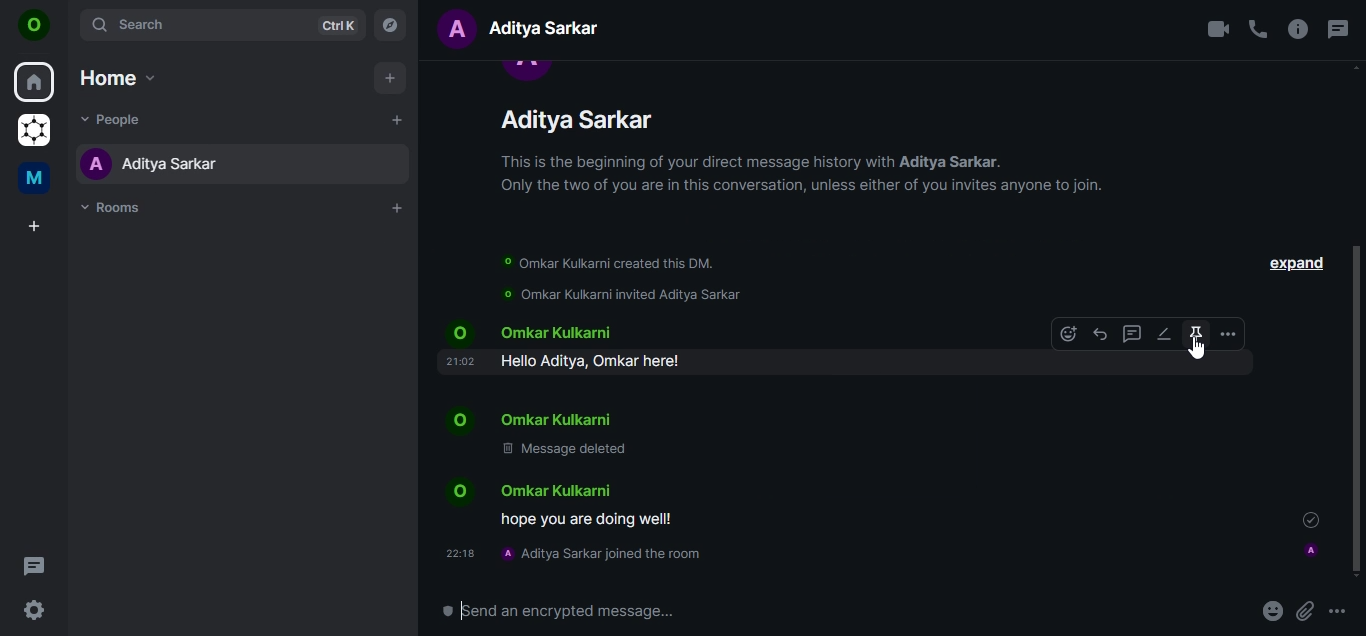 The width and height of the screenshot is (1366, 636). Describe the element at coordinates (523, 29) in the screenshot. I see `text` at that location.